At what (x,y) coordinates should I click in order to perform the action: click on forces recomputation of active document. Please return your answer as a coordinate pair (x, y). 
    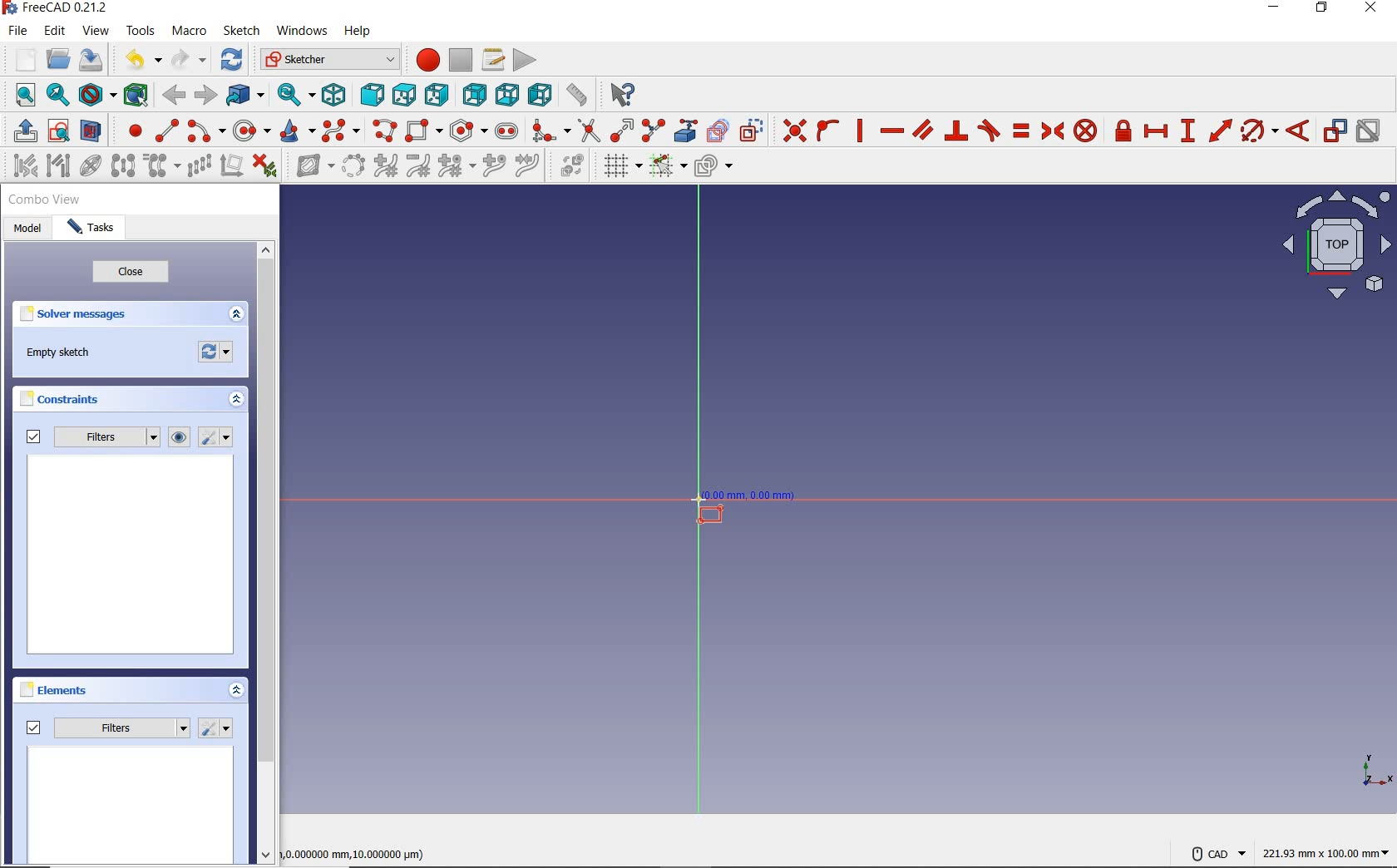
    Looking at the image, I should click on (216, 356).